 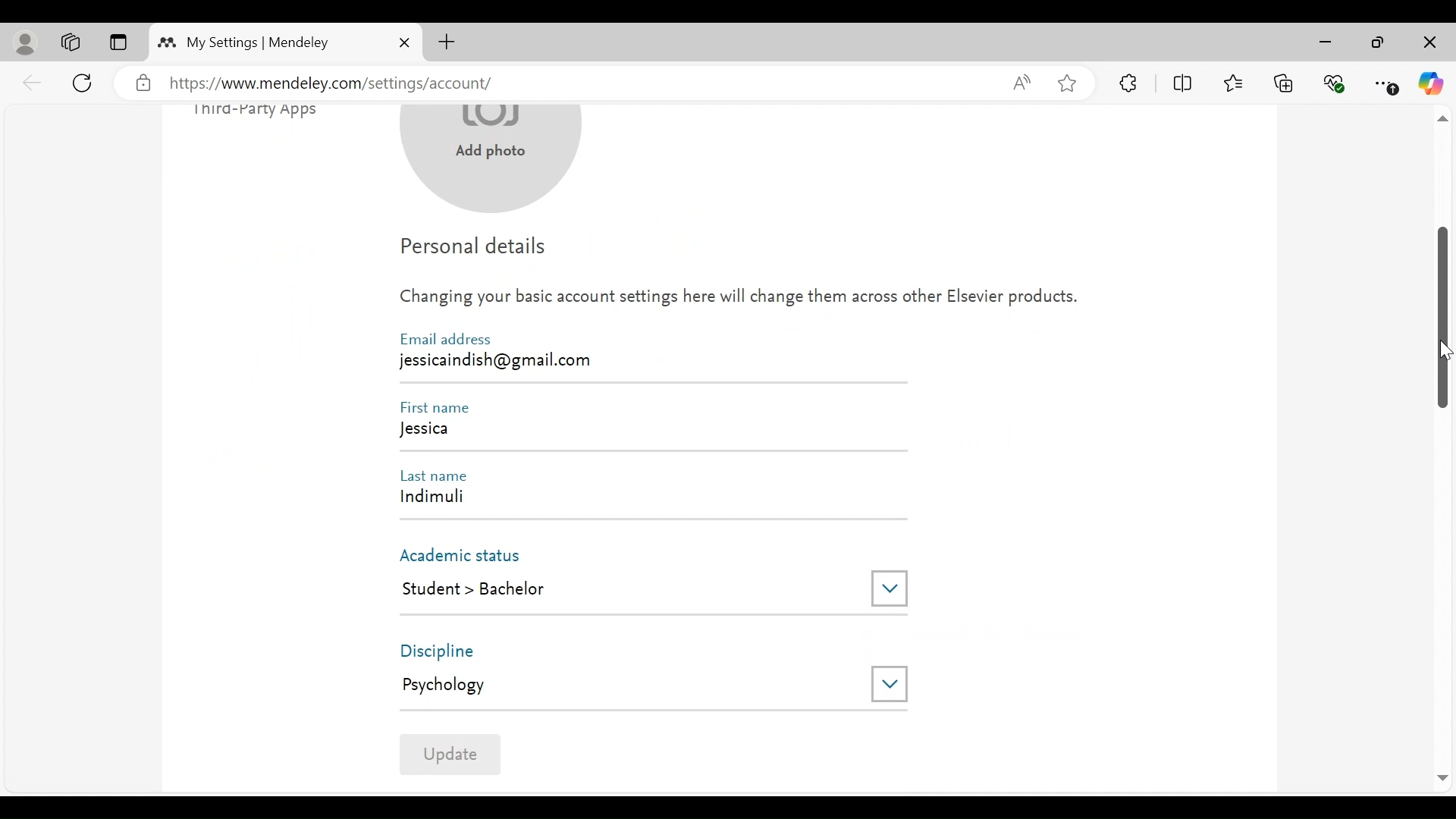 What do you see at coordinates (739, 301) in the screenshot?
I see `Changing your basic account settings here will change them across other Elsevier products` at bounding box center [739, 301].